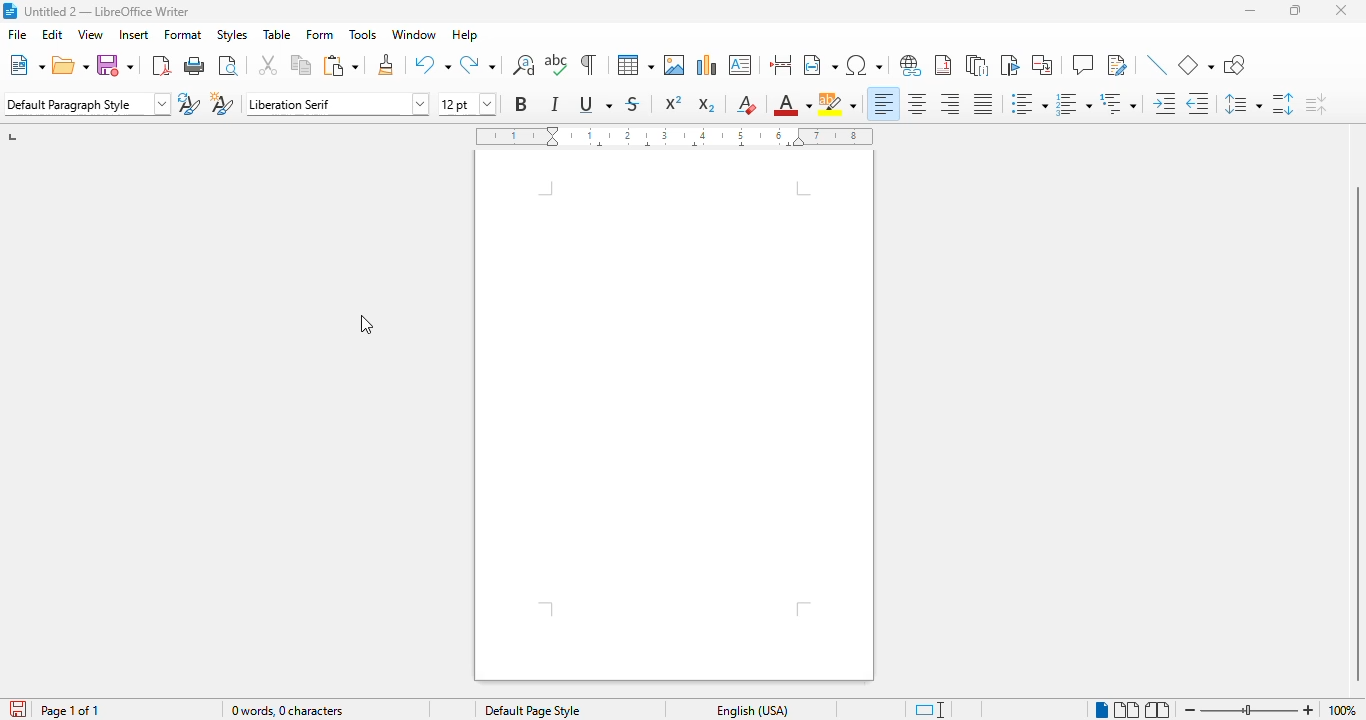 The width and height of the screenshot is (1366, 720). Describe the element at coordinates (87, 104) in the screenshot. I see `set paragraph style` at that location.